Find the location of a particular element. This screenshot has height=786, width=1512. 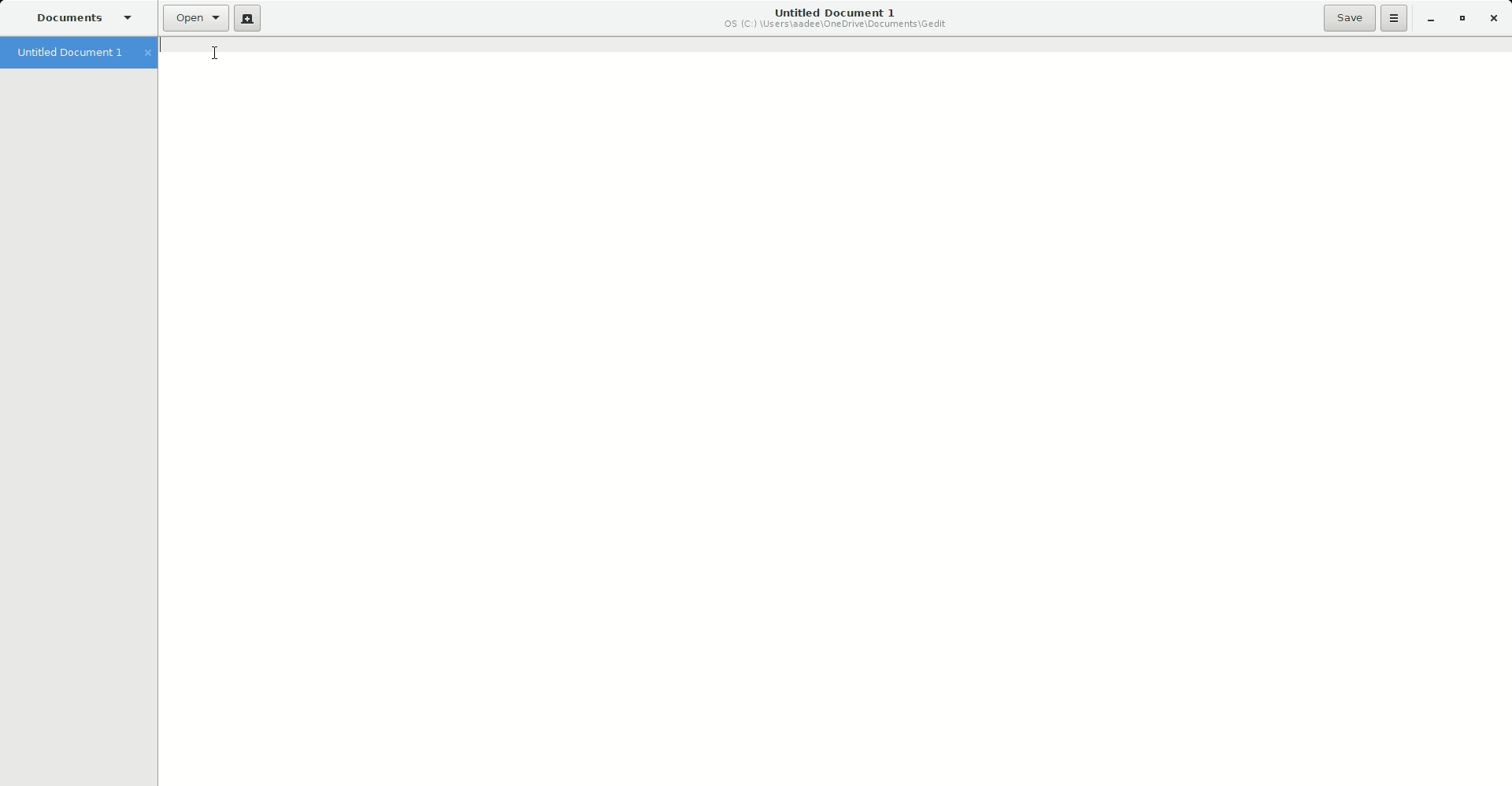

Open is located at coordinates (195, 18).